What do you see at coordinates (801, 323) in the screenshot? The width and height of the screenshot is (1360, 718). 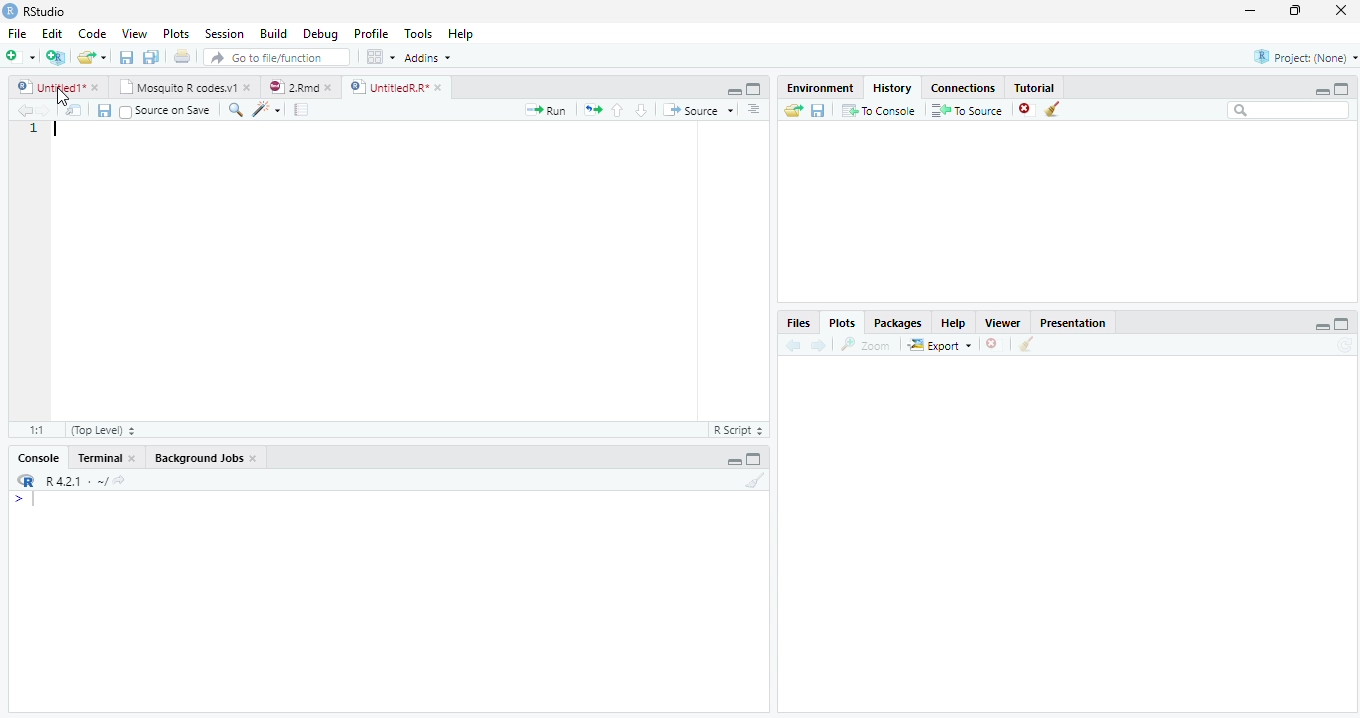 I see `Files` at bounding box center [801, 323].